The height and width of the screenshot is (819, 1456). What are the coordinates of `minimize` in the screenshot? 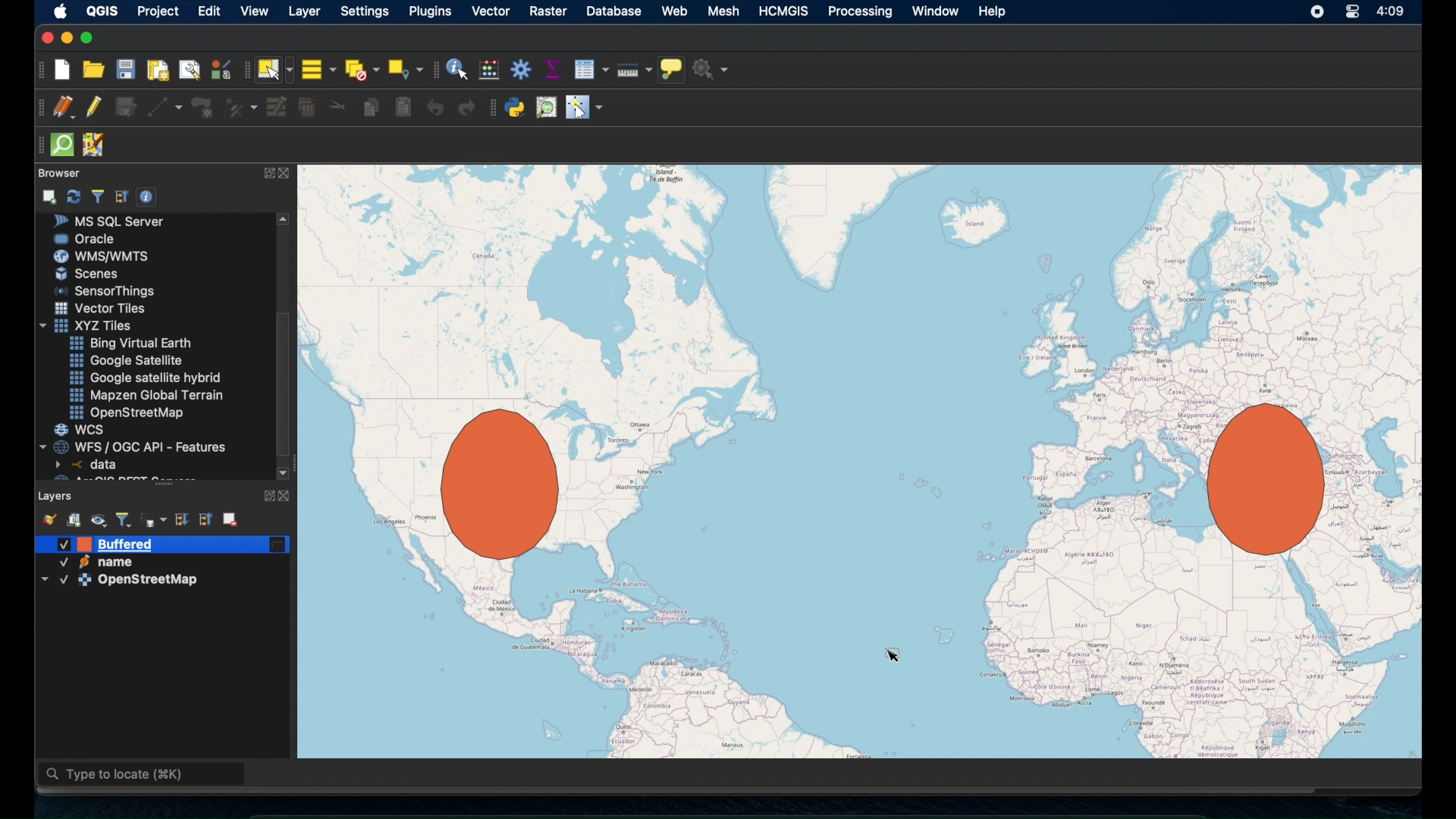 It's located at (65, 38).